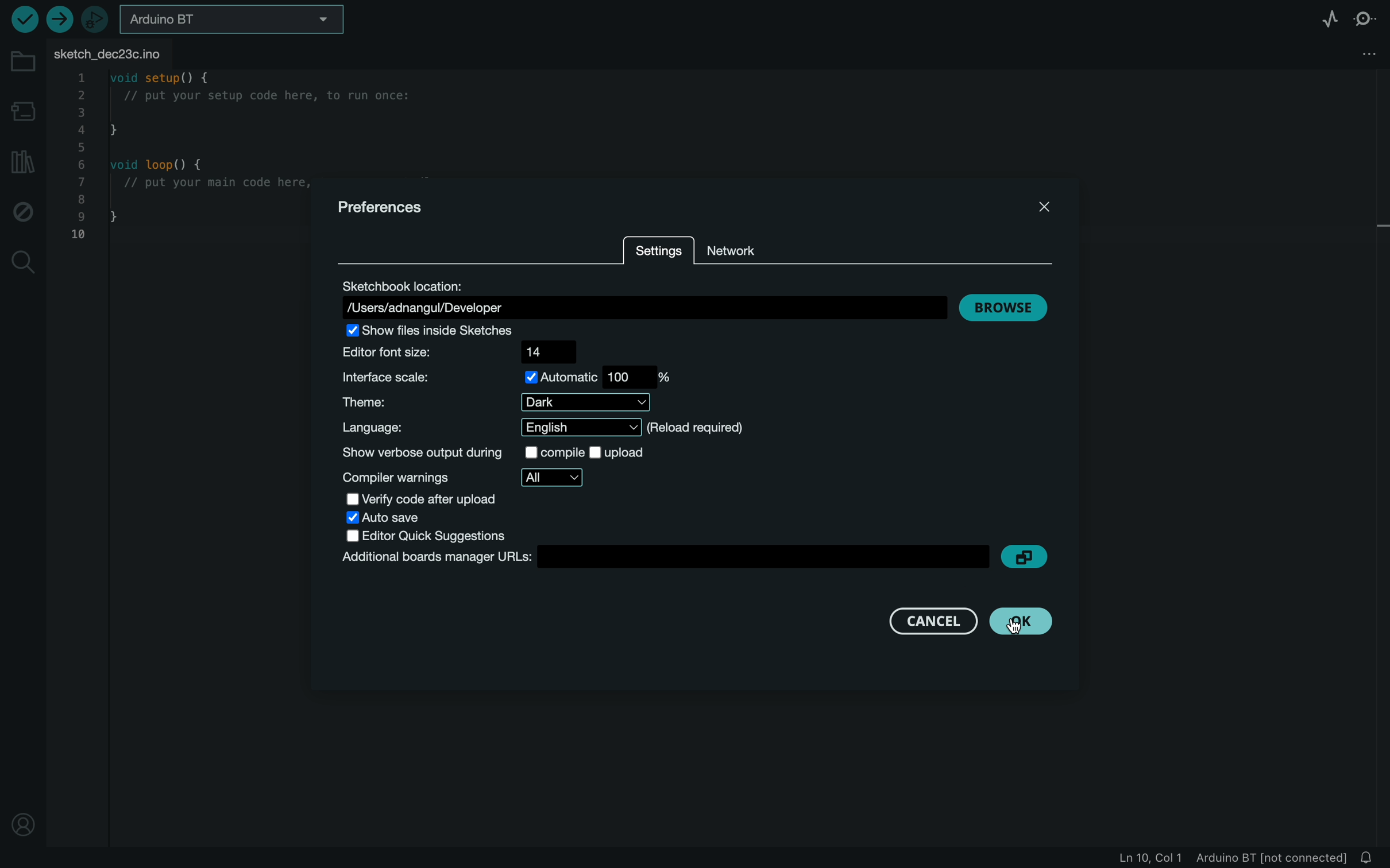  Describe the element at coordinates (21, 265) in the screenshot. I see `search` at that location.